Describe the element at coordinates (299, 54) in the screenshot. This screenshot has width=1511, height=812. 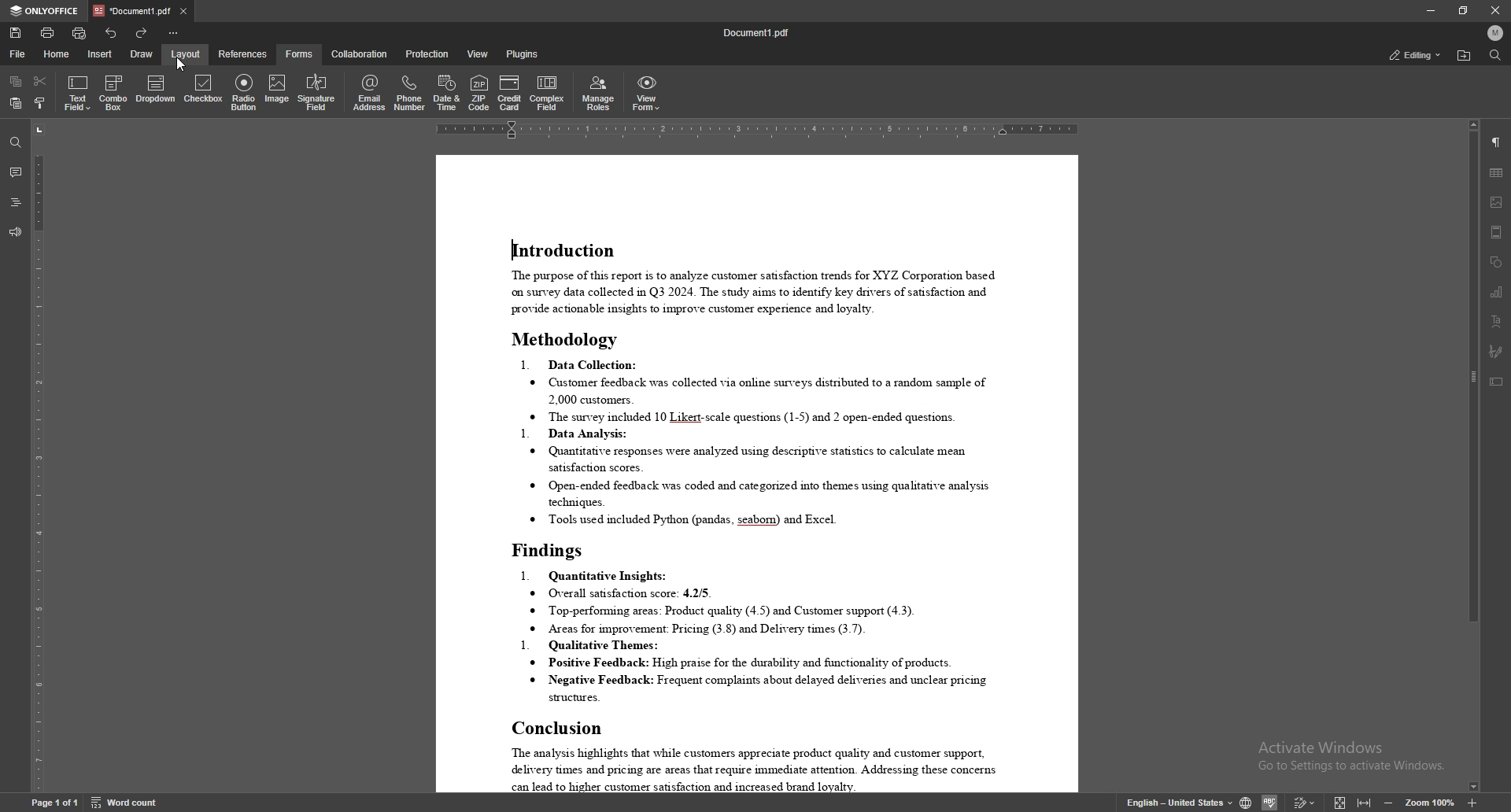
I see `forms` at that location.